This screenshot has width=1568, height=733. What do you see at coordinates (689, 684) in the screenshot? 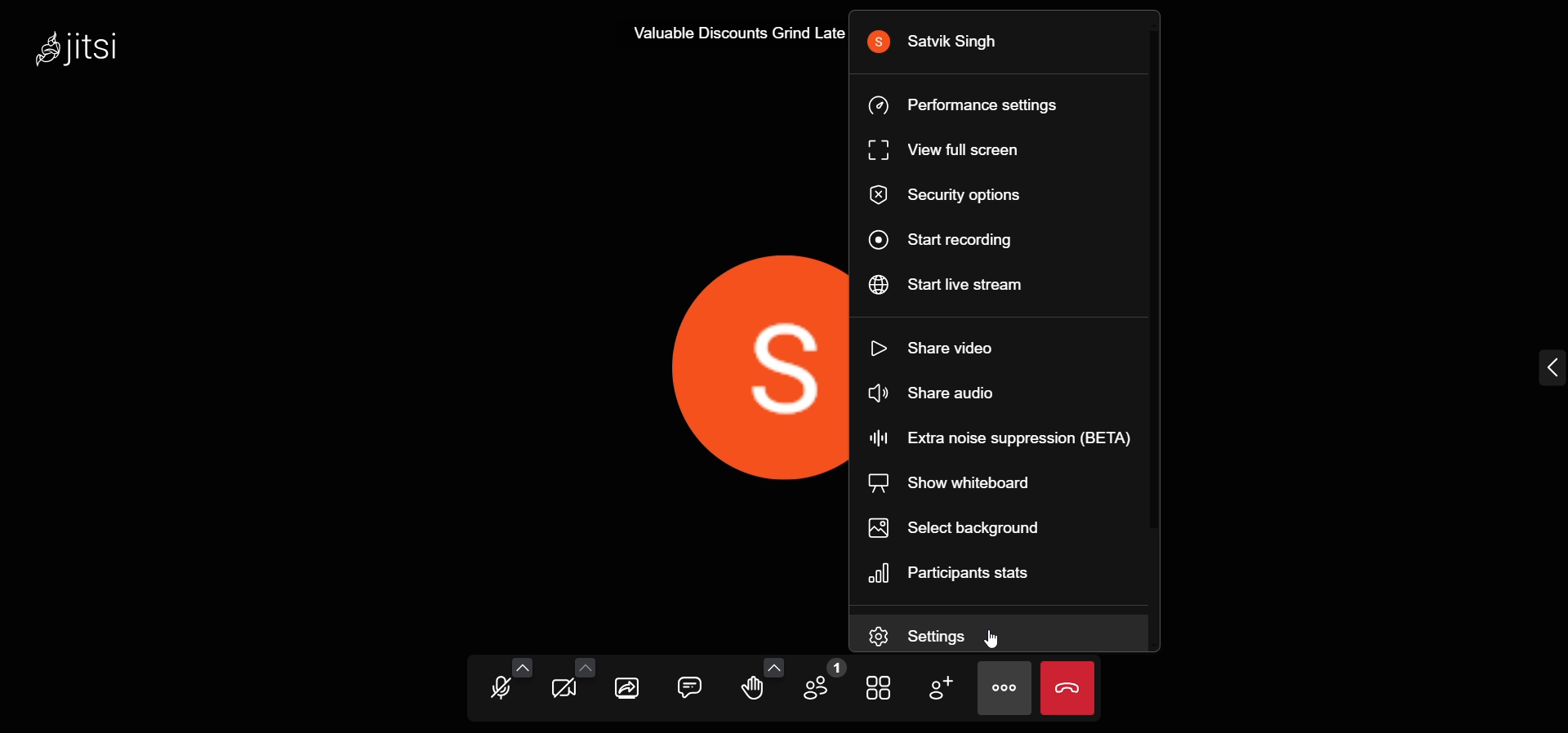
I see `chat` at bounding box center [689, 684].